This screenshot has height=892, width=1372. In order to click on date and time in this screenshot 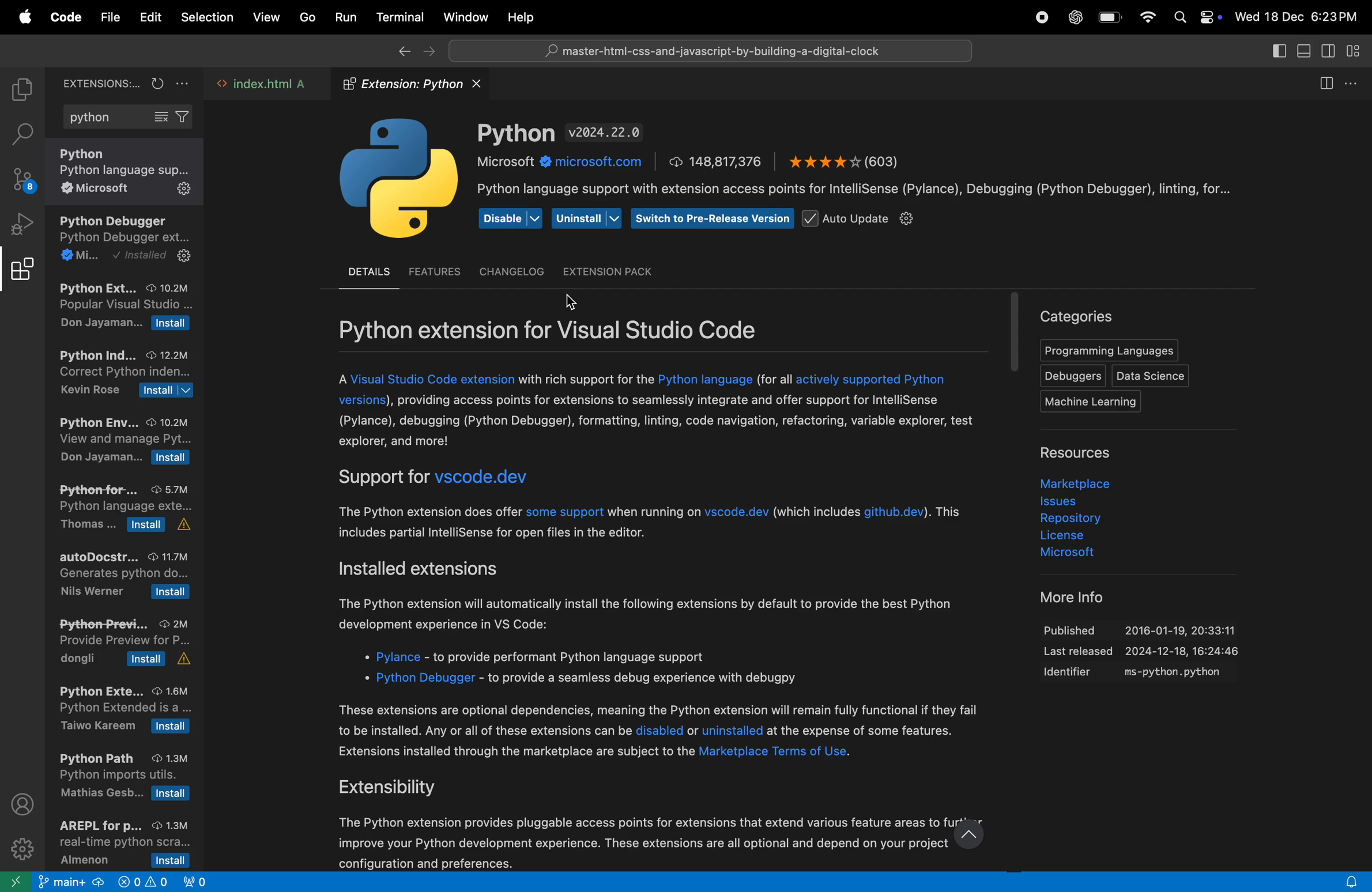, I will do `click(1301, 16)`.